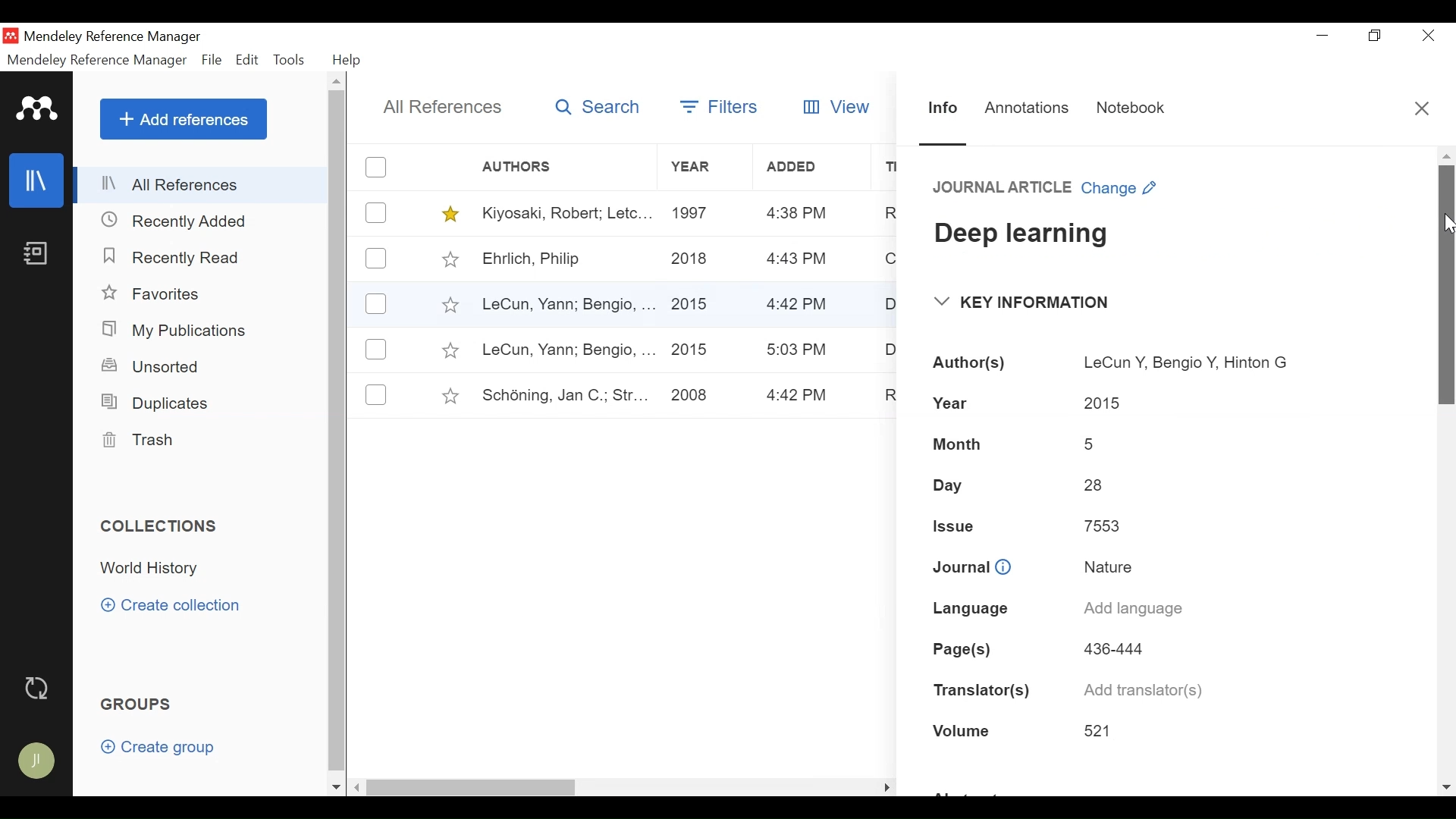 The width and height of the screenshot is (1456, 819). Describe the element at coordinates (691, 350) in the screenshot. I see `2015` at that location.